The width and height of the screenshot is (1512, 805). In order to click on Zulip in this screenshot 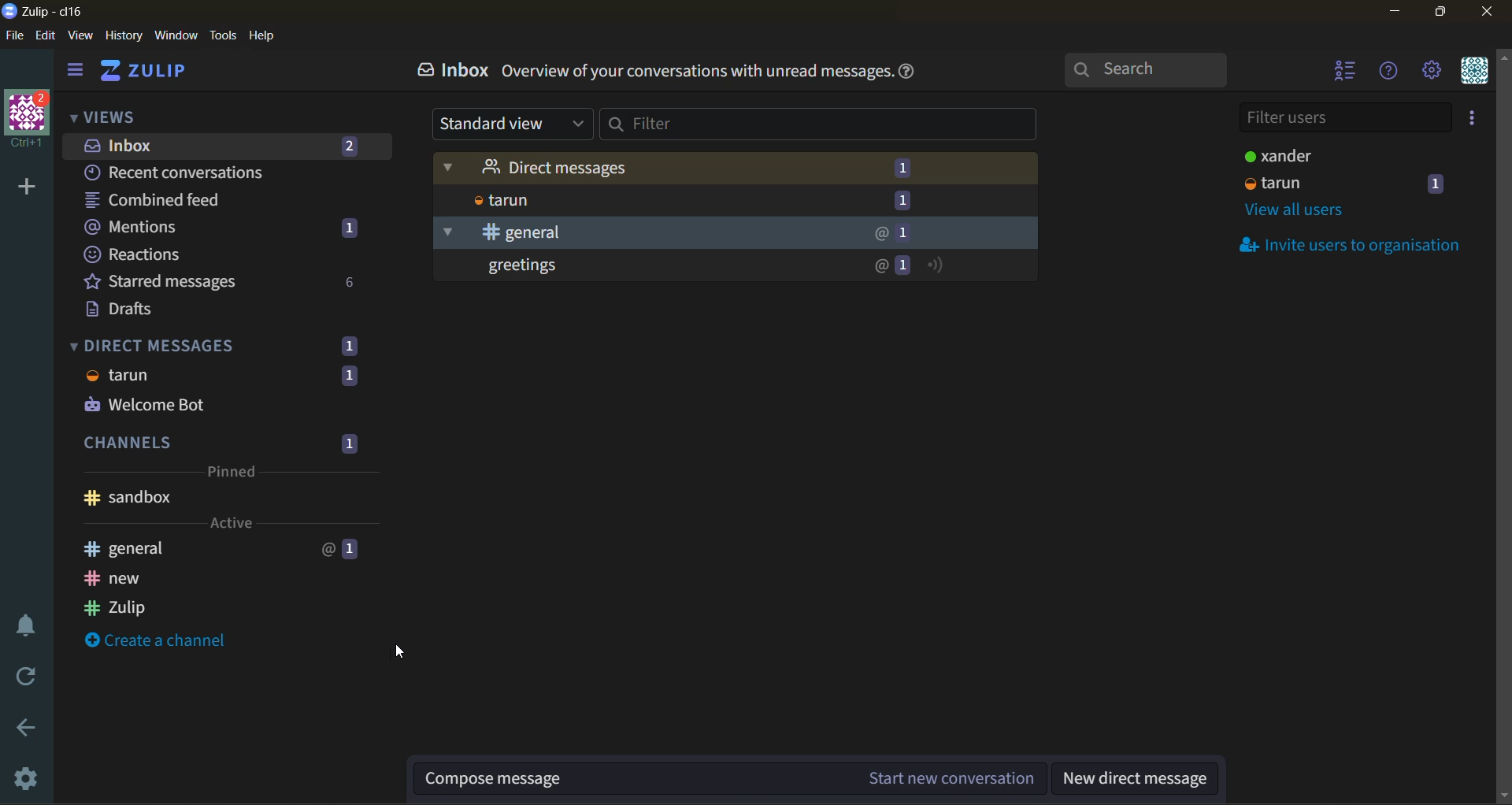, I will do `click(176, 605)`.